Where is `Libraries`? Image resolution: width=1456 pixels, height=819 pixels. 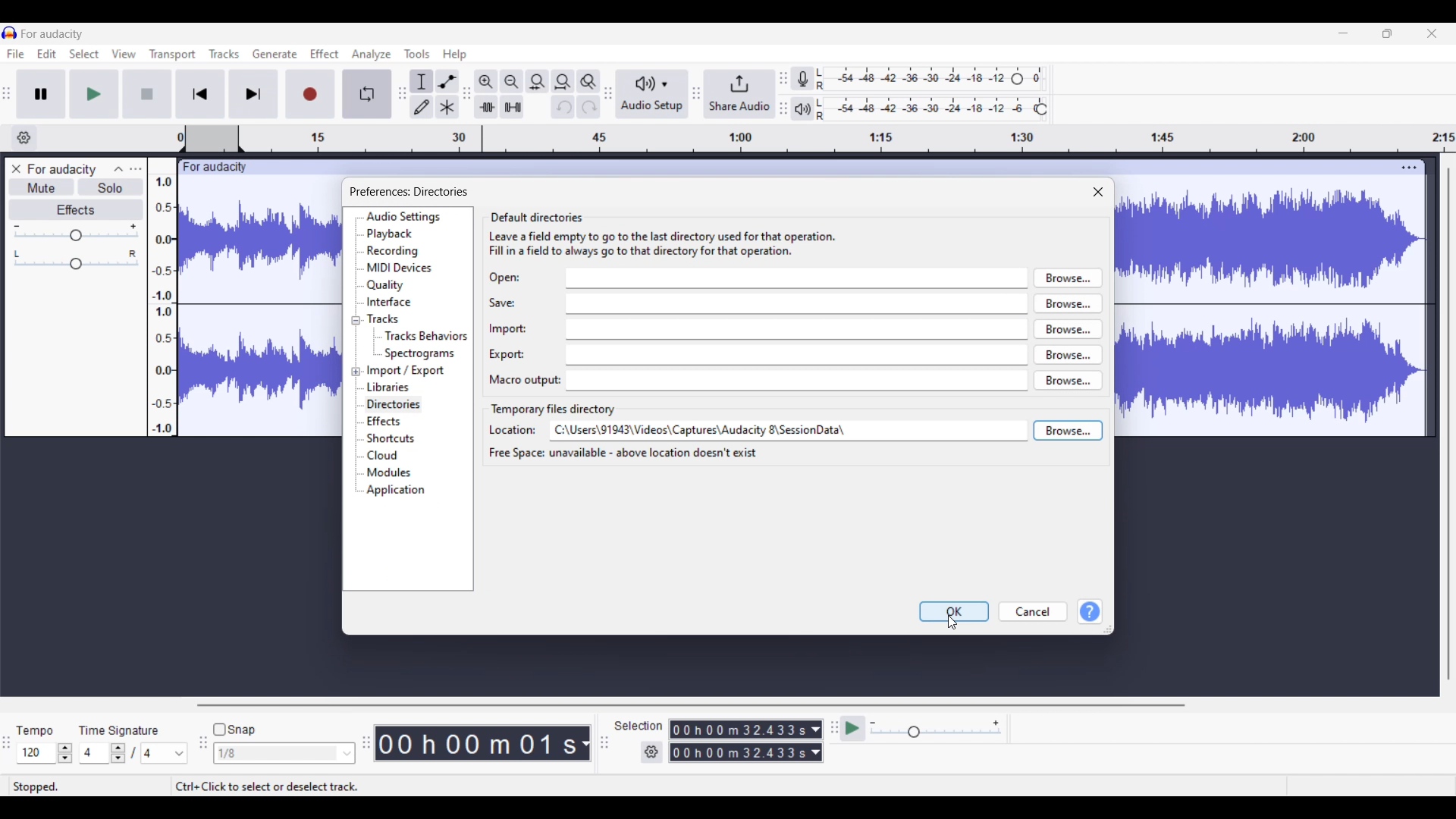 Libraries is located at coordinates (389, 387).